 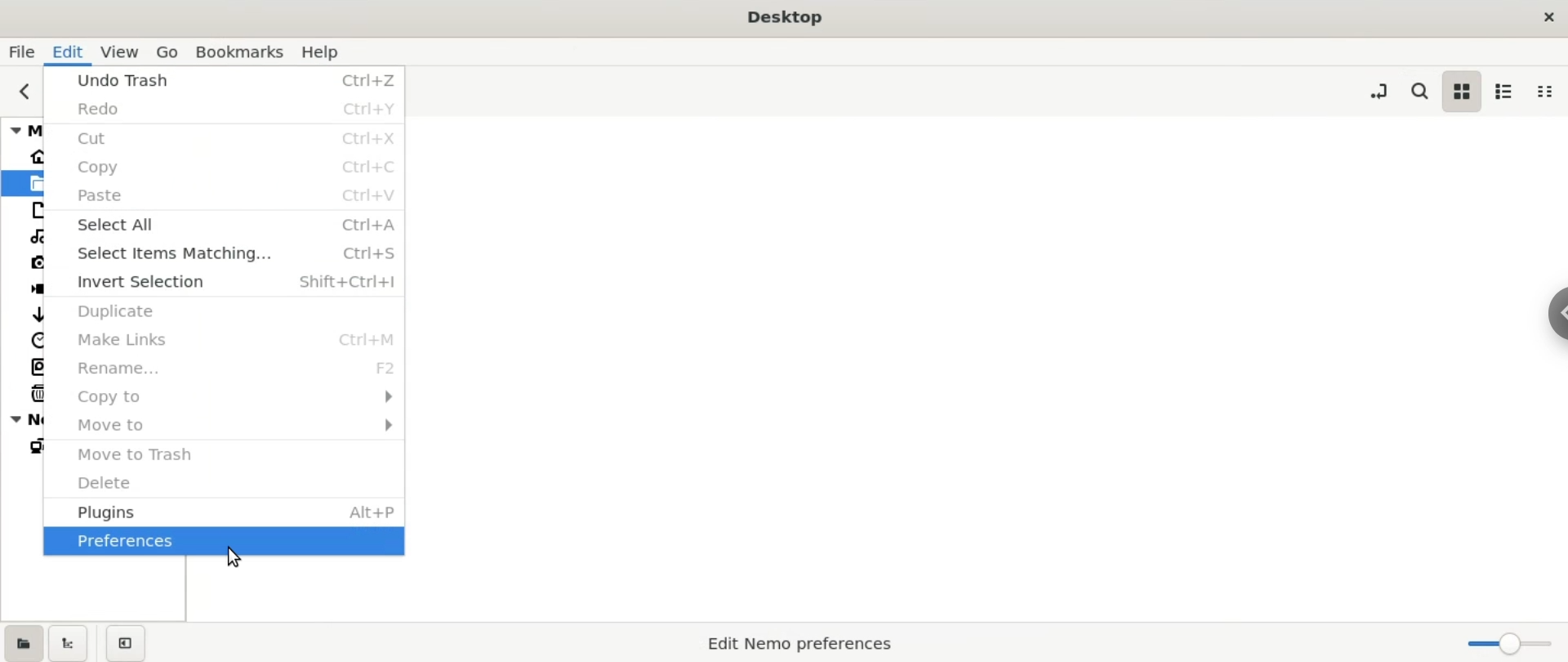 What do you see at coordinates (123, 55) in the screenshot?
I see `view` at bounding box center [123, 55].